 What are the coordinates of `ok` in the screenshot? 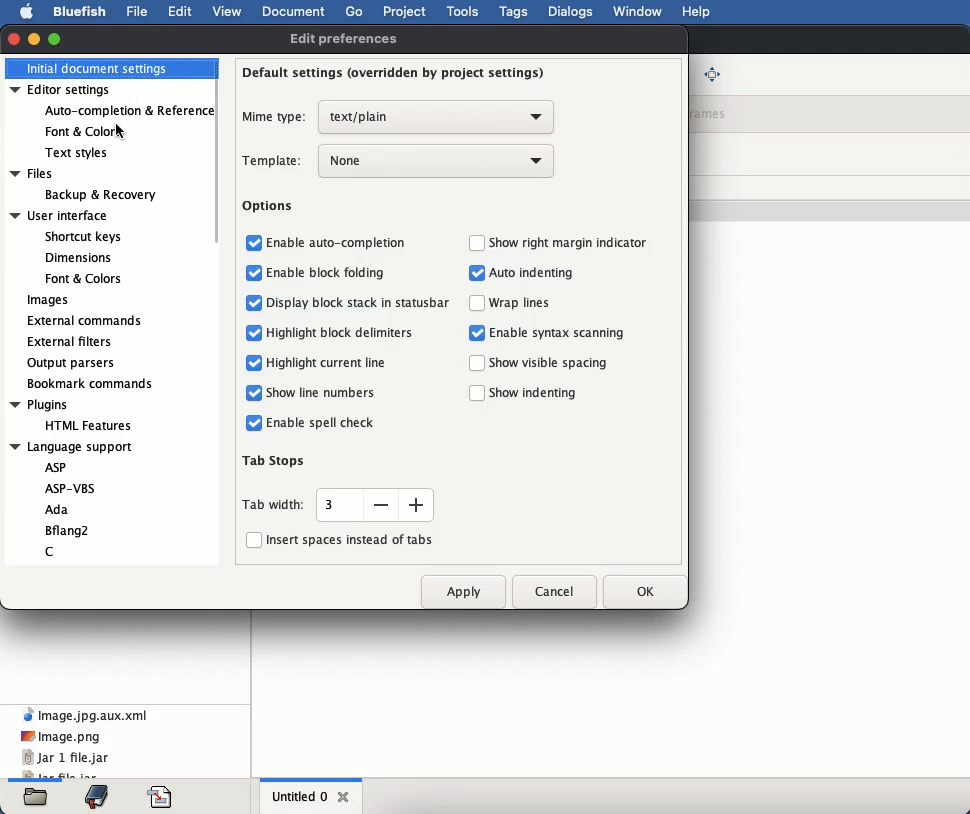 It's located at (640, 591).